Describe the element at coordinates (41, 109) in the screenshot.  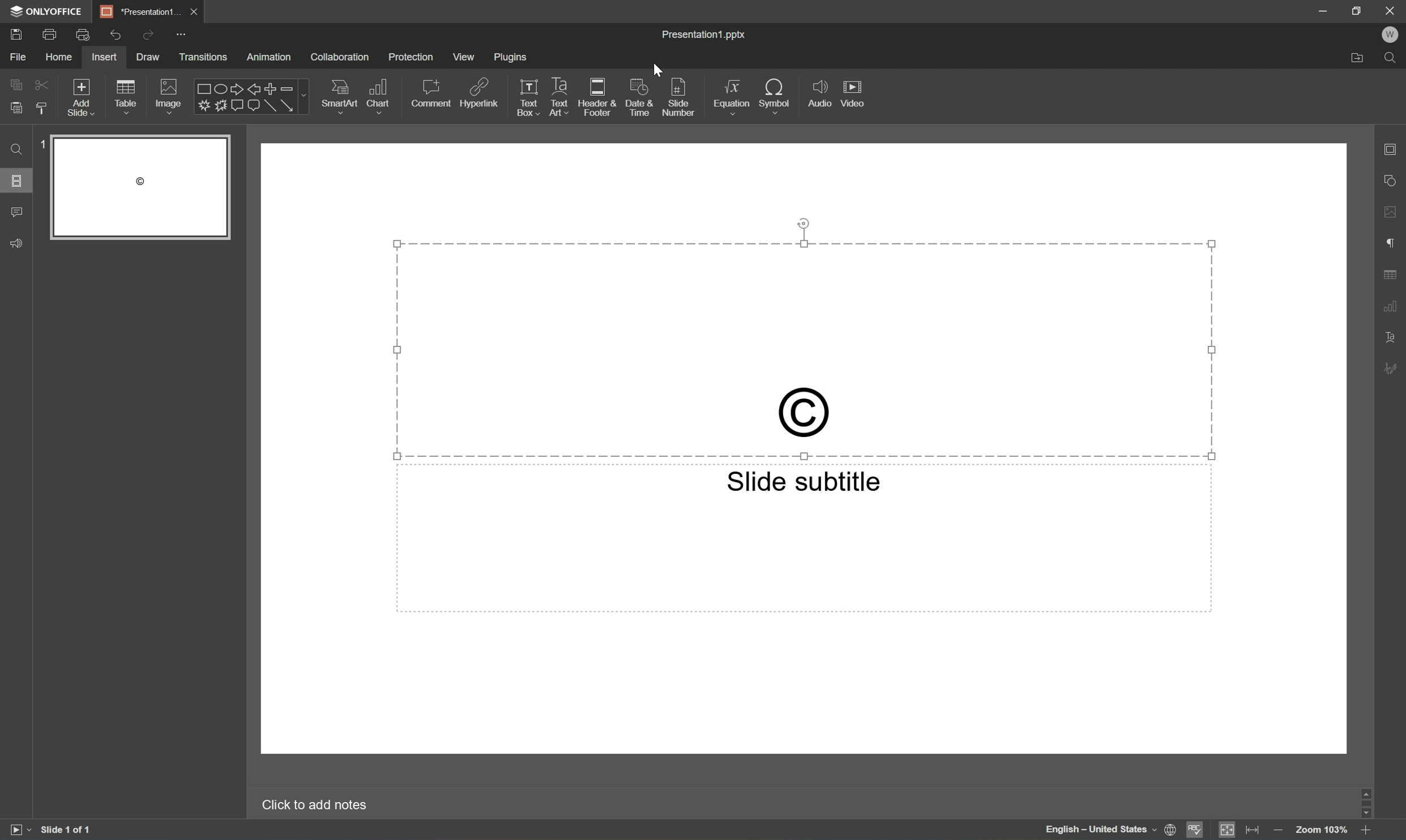
I see `Copy style` at that location.